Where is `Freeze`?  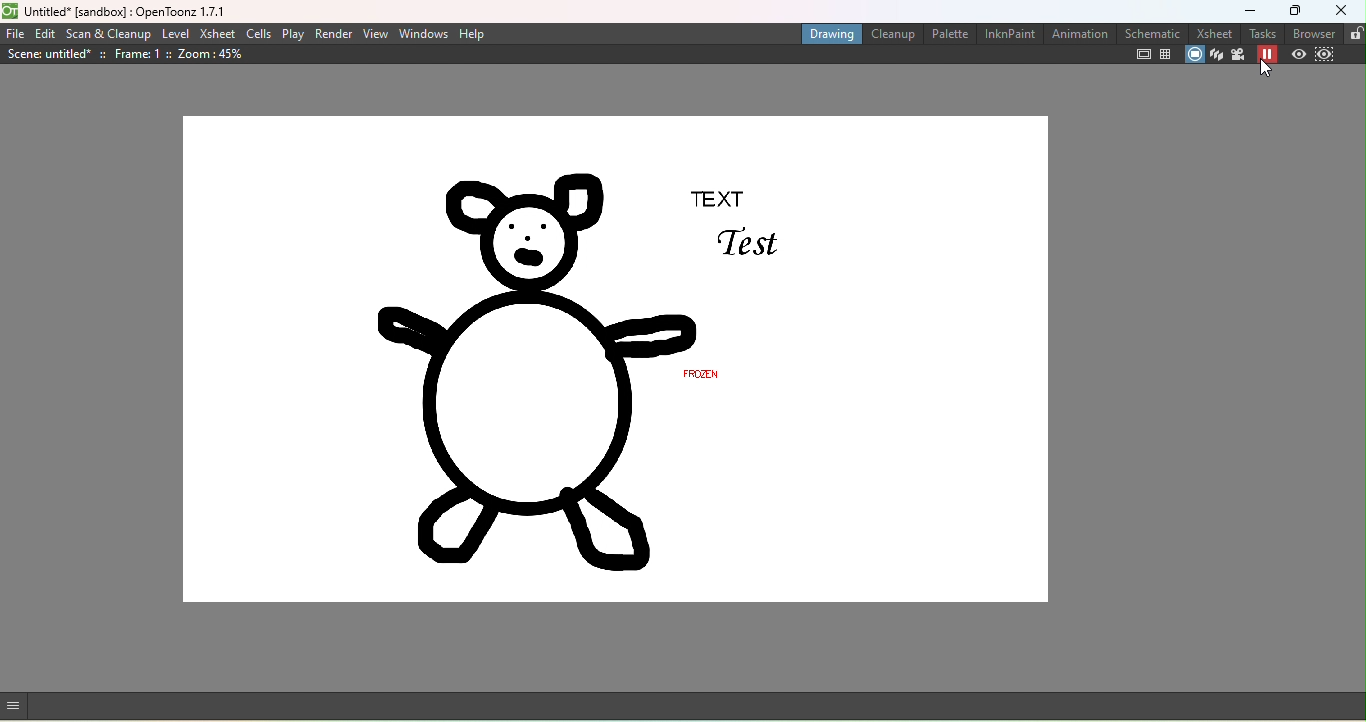 Freeze is located at coordinates (1267, 53).